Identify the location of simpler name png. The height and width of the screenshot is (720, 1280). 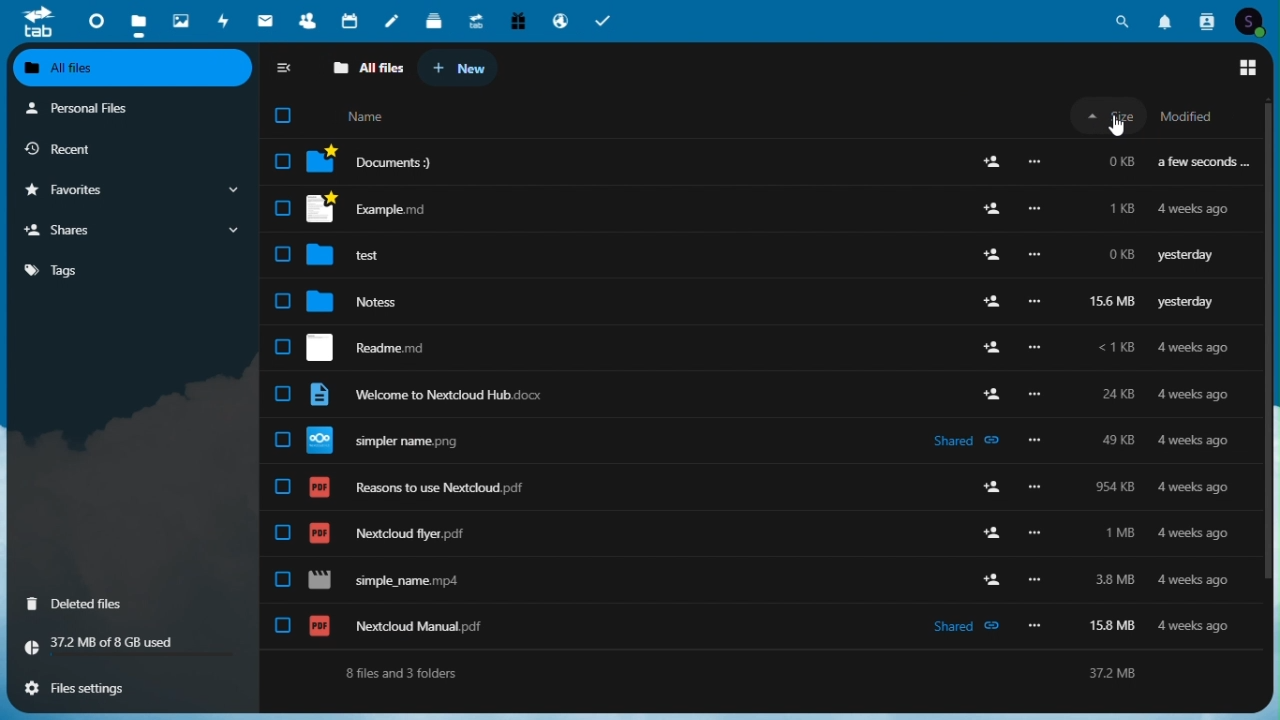
(763, 628).